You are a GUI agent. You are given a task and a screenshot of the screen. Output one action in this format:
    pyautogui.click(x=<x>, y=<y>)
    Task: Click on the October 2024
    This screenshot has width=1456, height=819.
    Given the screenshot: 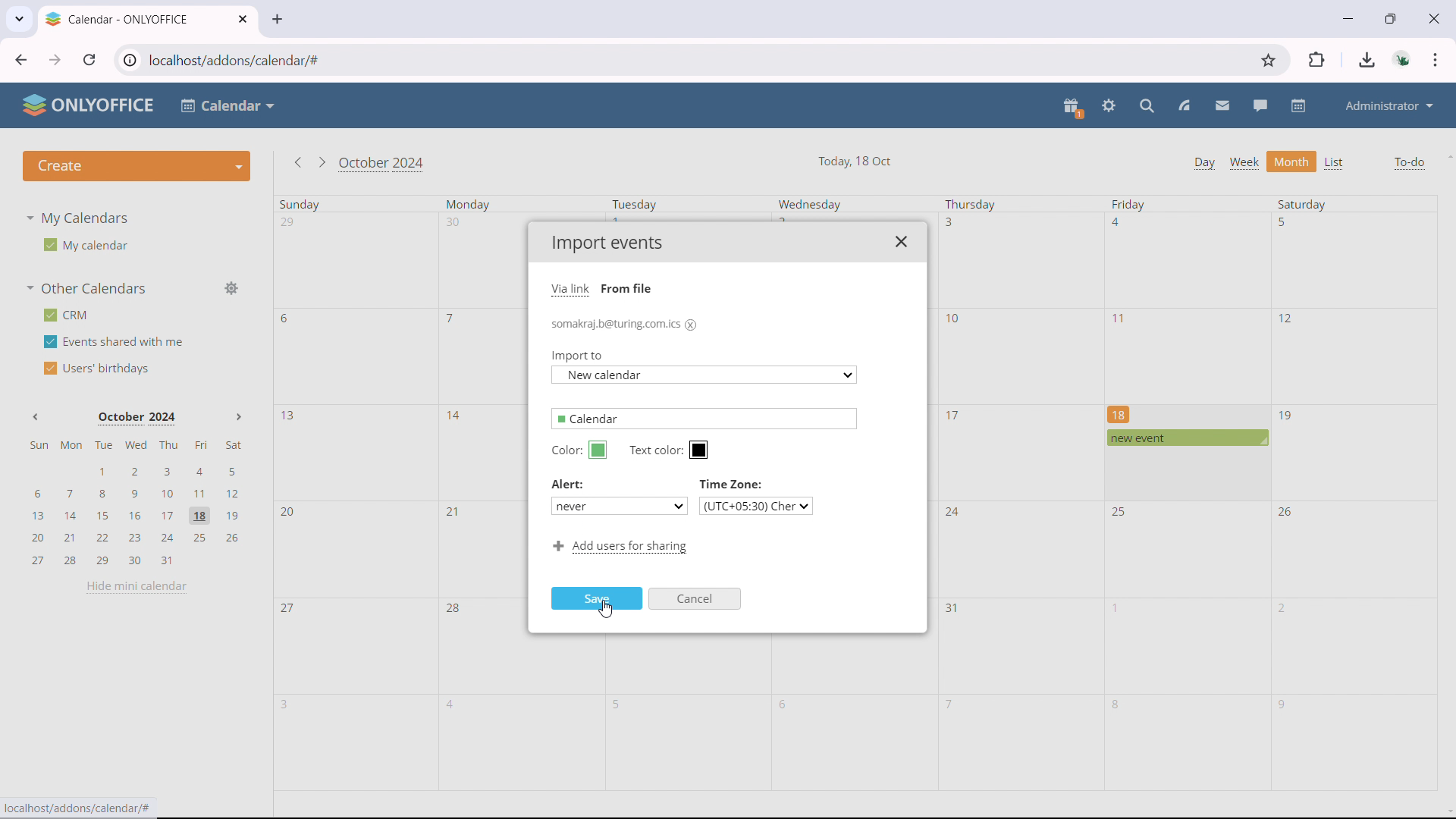 What is the action you would take?
    pyautogui.click(x=136, y=419)
    